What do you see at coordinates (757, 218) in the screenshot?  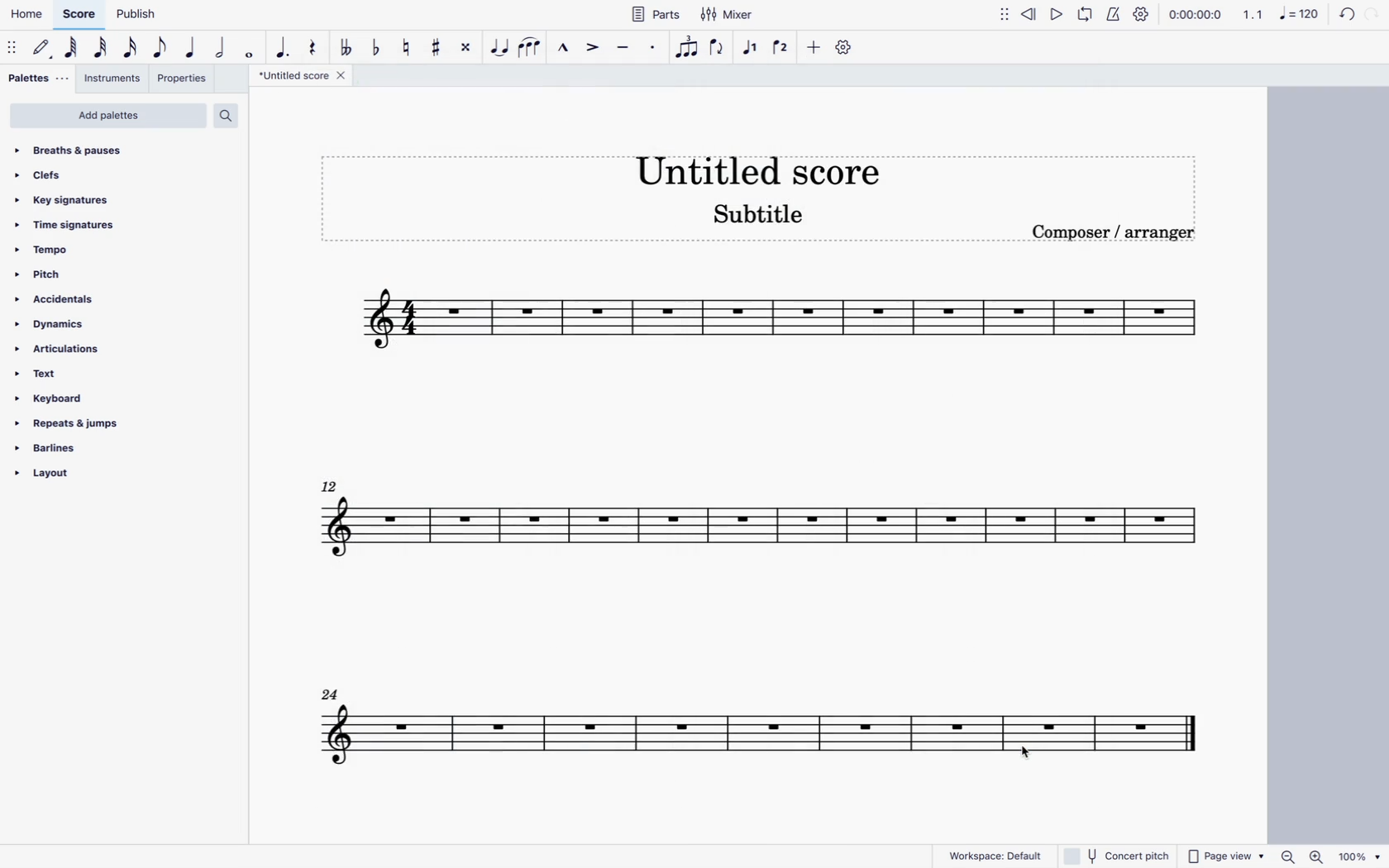 I see `Subtitle` at bounding box center [757, 218].